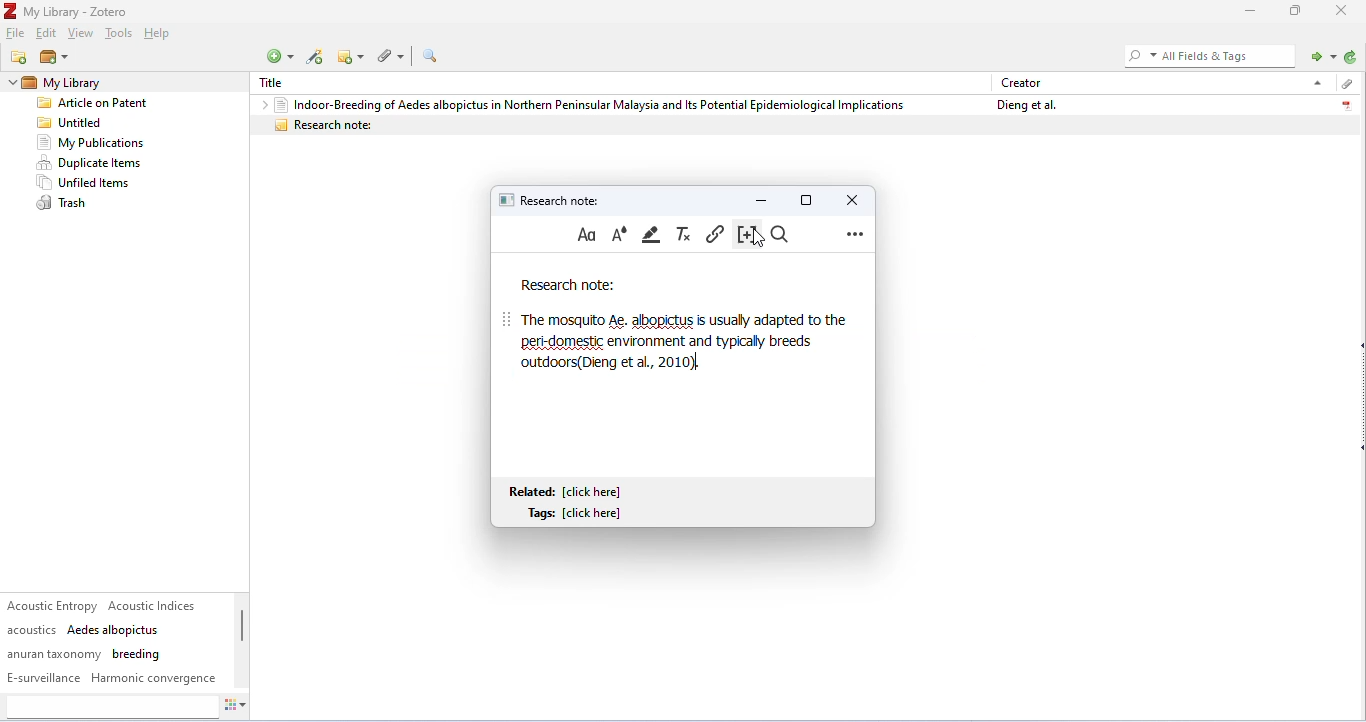  What do you see at coordinates (90, 143) in the screenshot?
I see `my publication` at bounding box center [90, 143].